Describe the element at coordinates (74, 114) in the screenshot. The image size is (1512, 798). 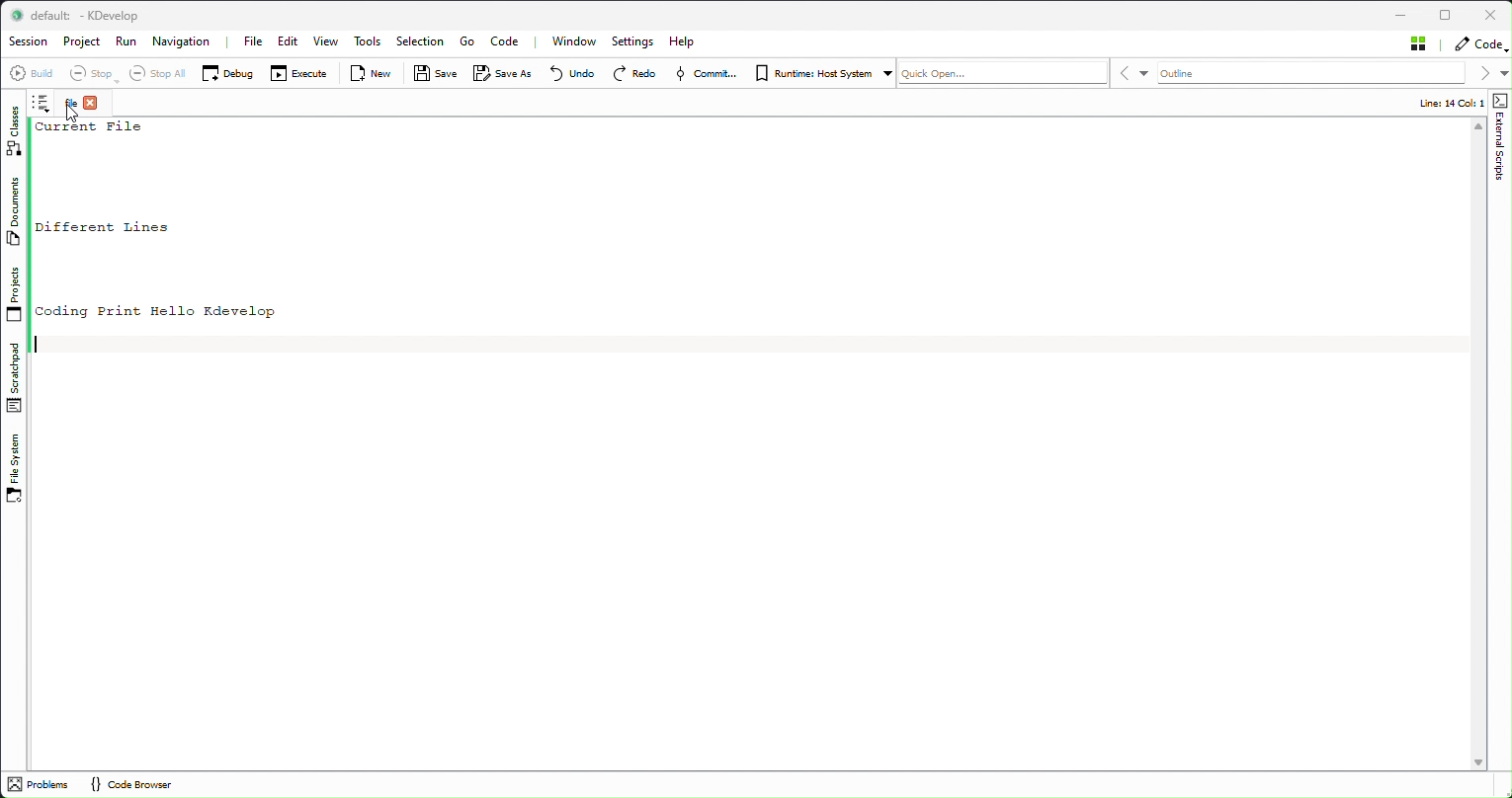
I see `Cursor` at that location.